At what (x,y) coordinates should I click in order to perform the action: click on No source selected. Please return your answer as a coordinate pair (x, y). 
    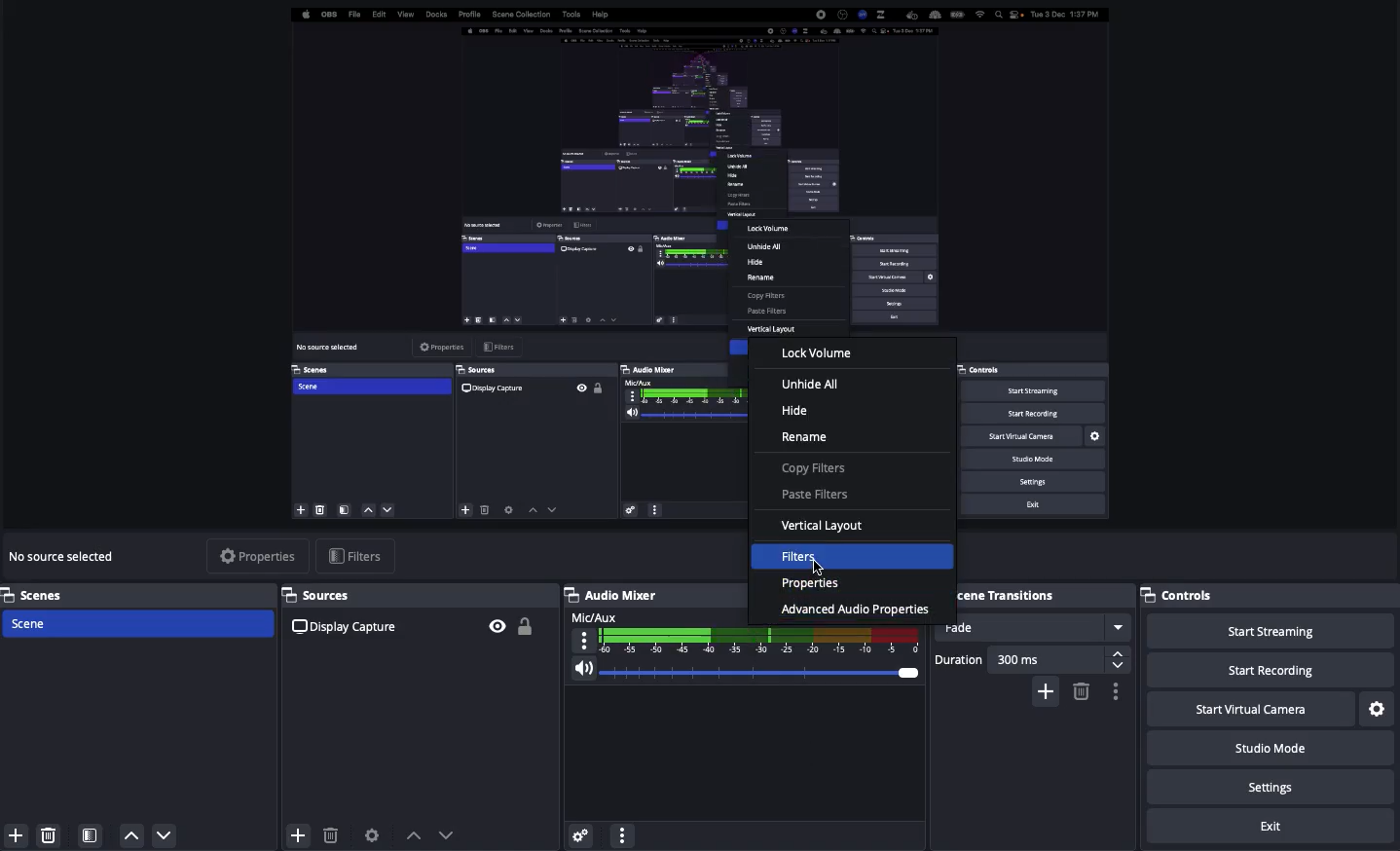
    Looking at the image, I should click on (66, 556).